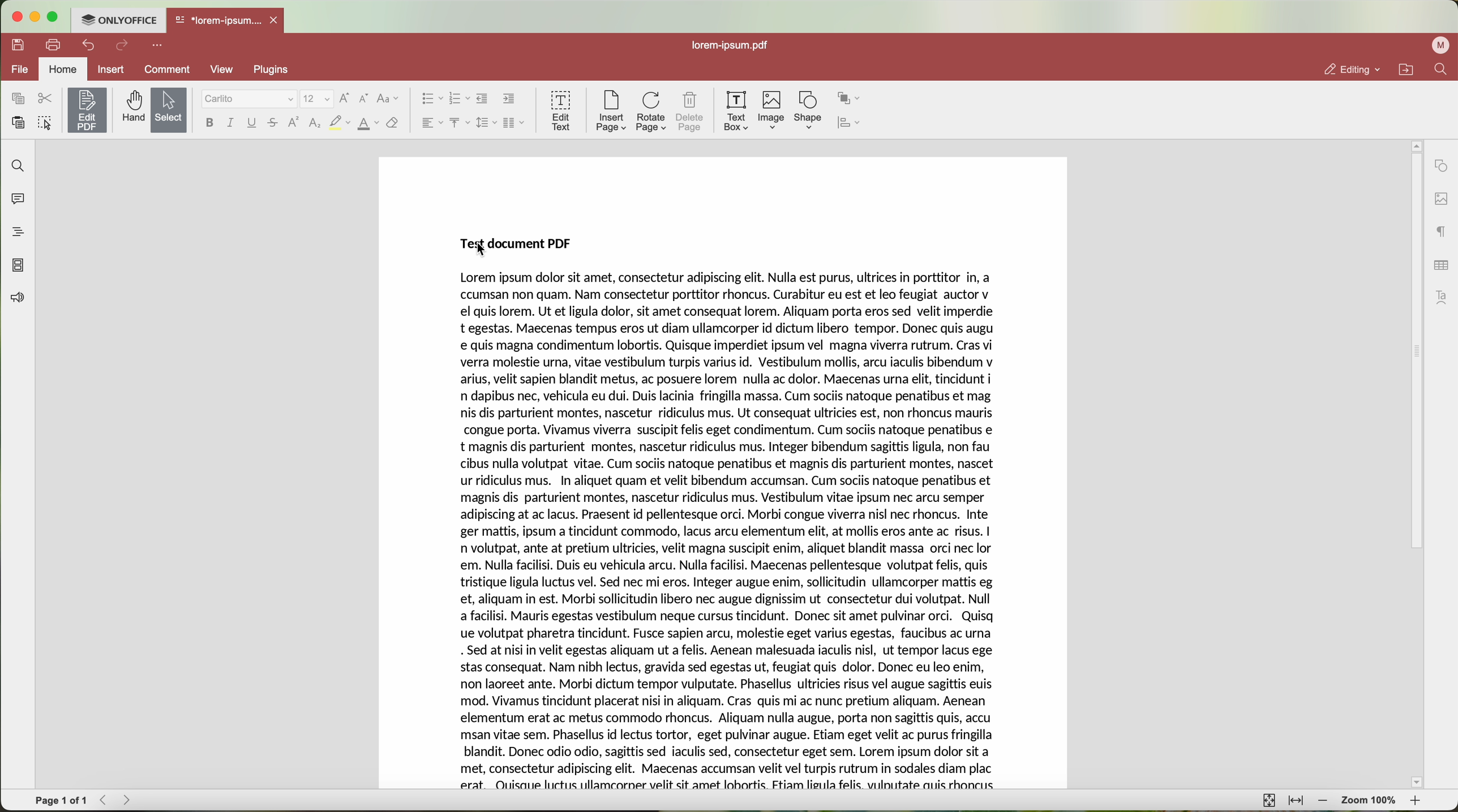  What do you see at coordinates (168, 110) in the screenshot?
I see `select` at bounding box center [168, 110].